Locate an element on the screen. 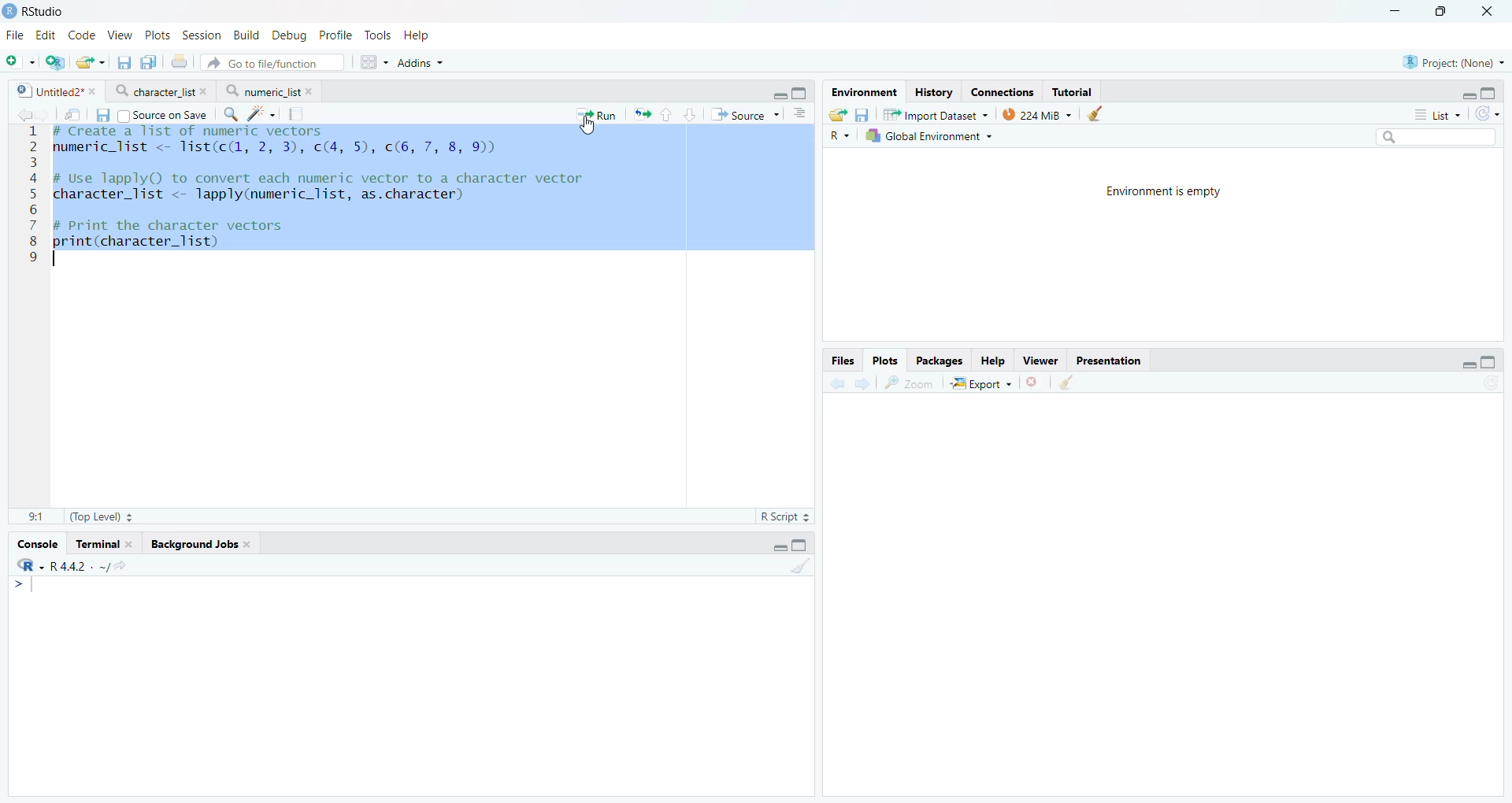  Tools is located at coordinates (378, 35).